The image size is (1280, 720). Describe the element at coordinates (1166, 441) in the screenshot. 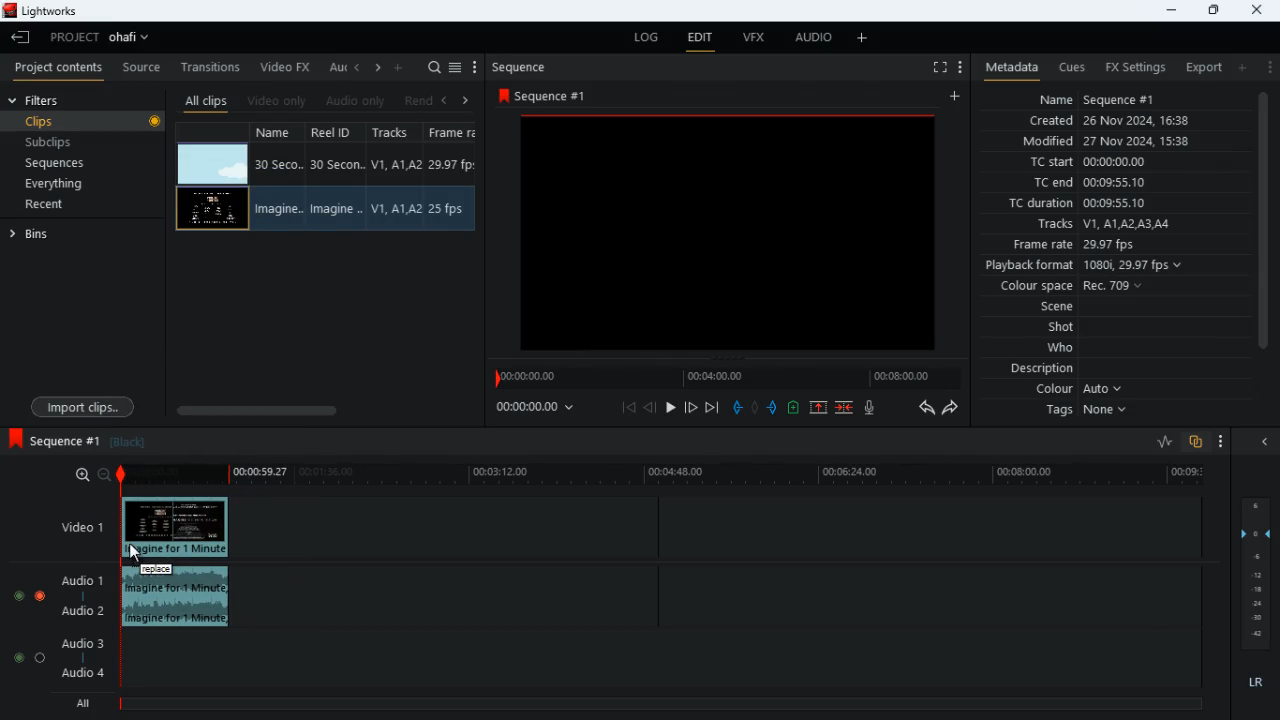

I see `ratio` at that location.